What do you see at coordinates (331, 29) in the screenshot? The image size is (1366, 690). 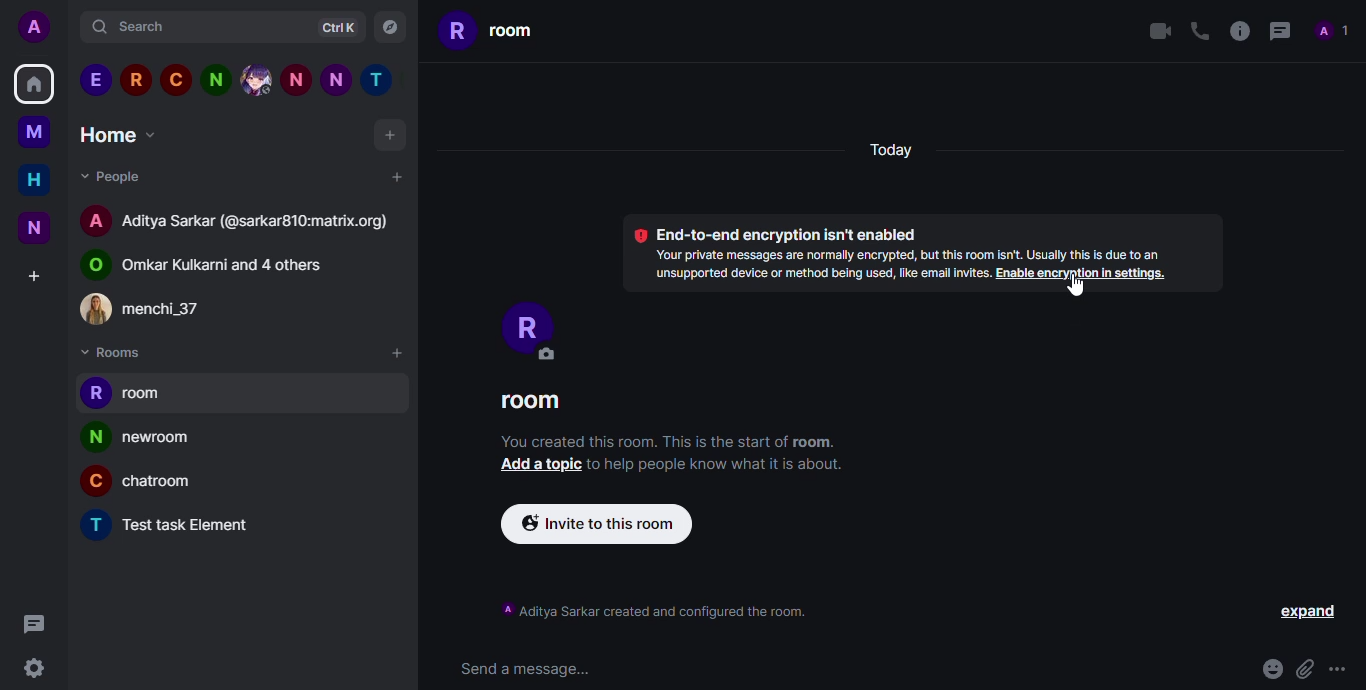 I see `ctrlK` at bounding box center [331, 29].